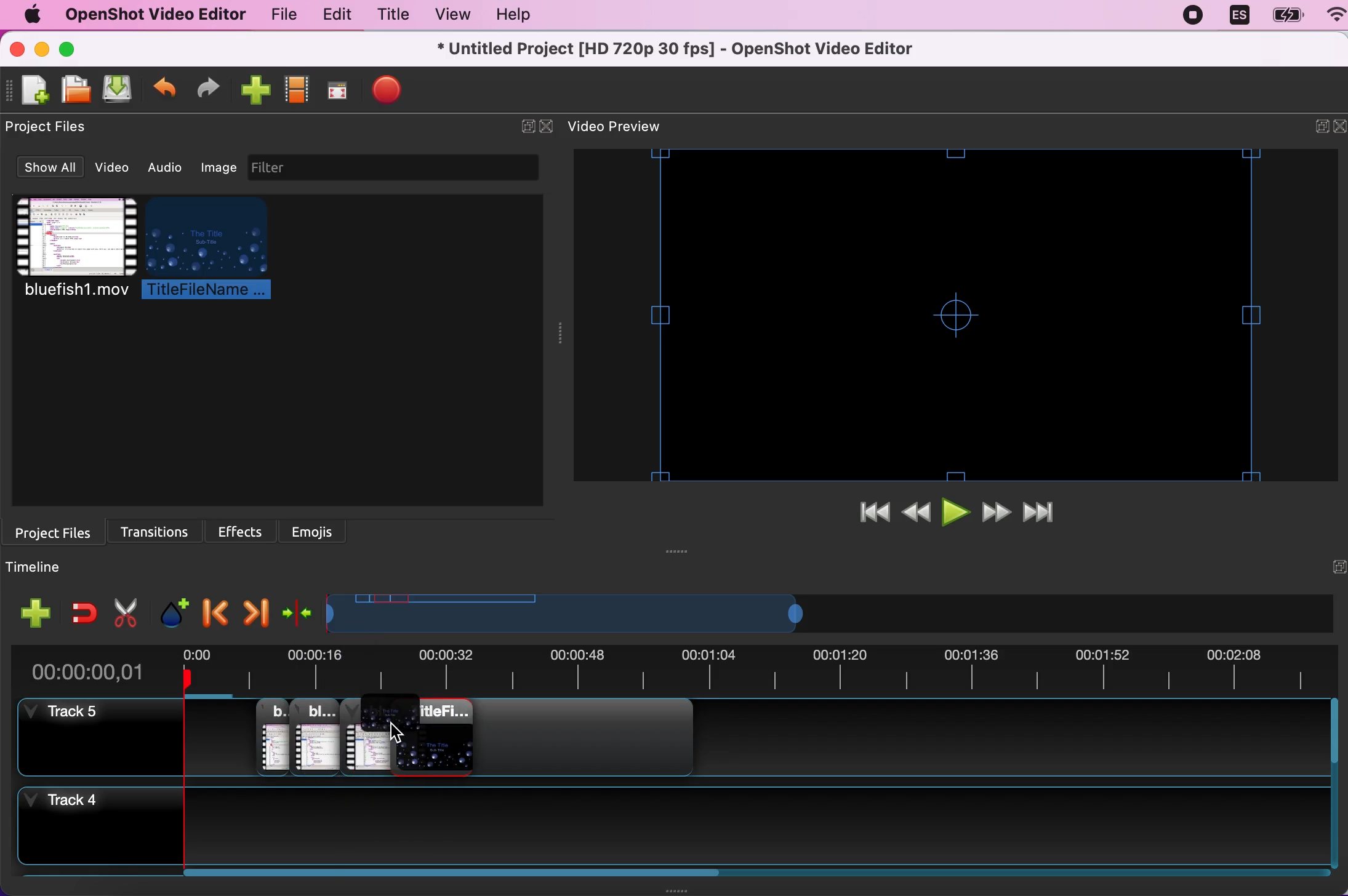  What do you see at coordinates (295, 94) in the screenshot?
I see `show profile` at bounding box center [295, 94].